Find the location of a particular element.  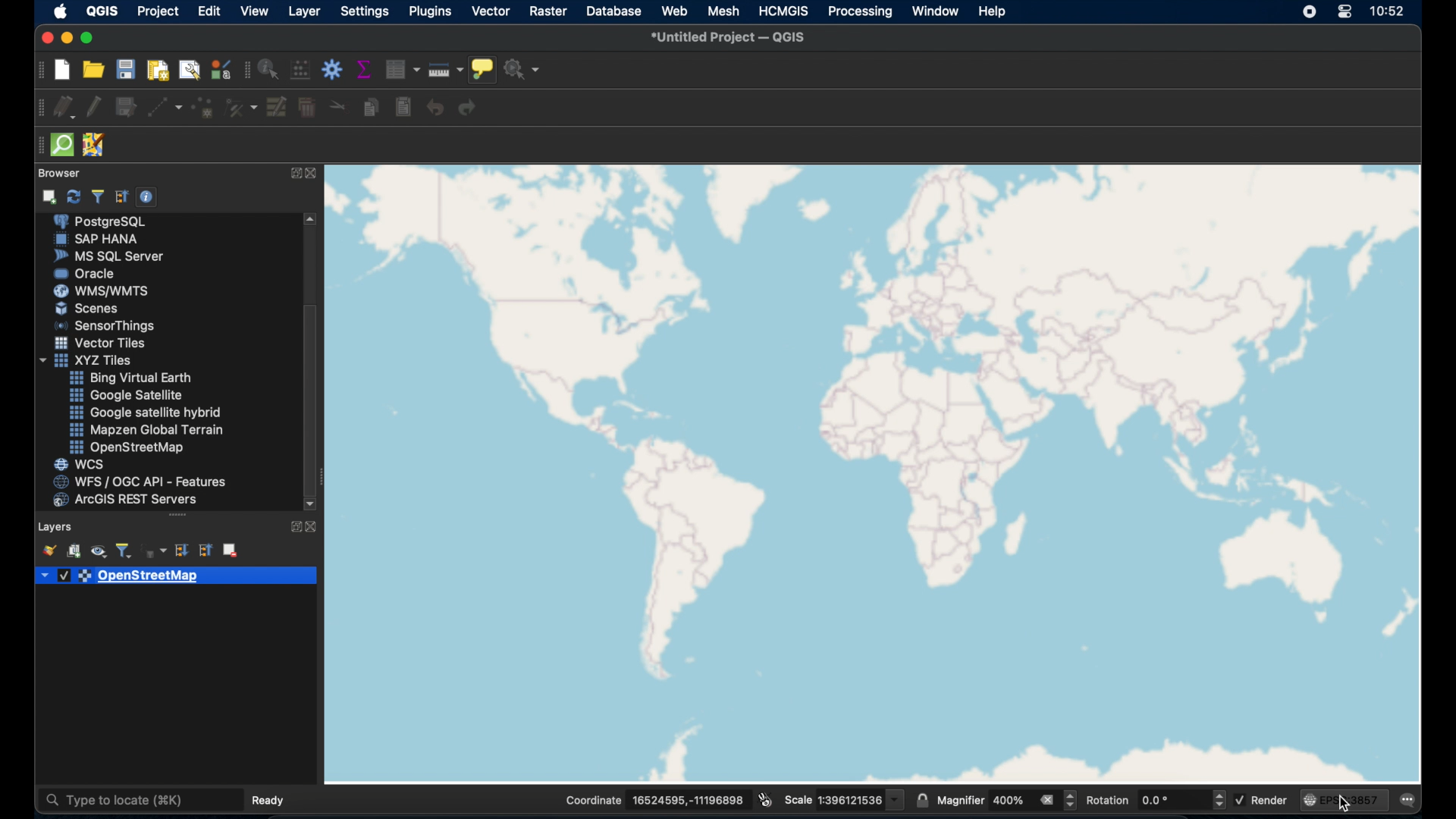

filter browser is located at coordinates (96, 197).